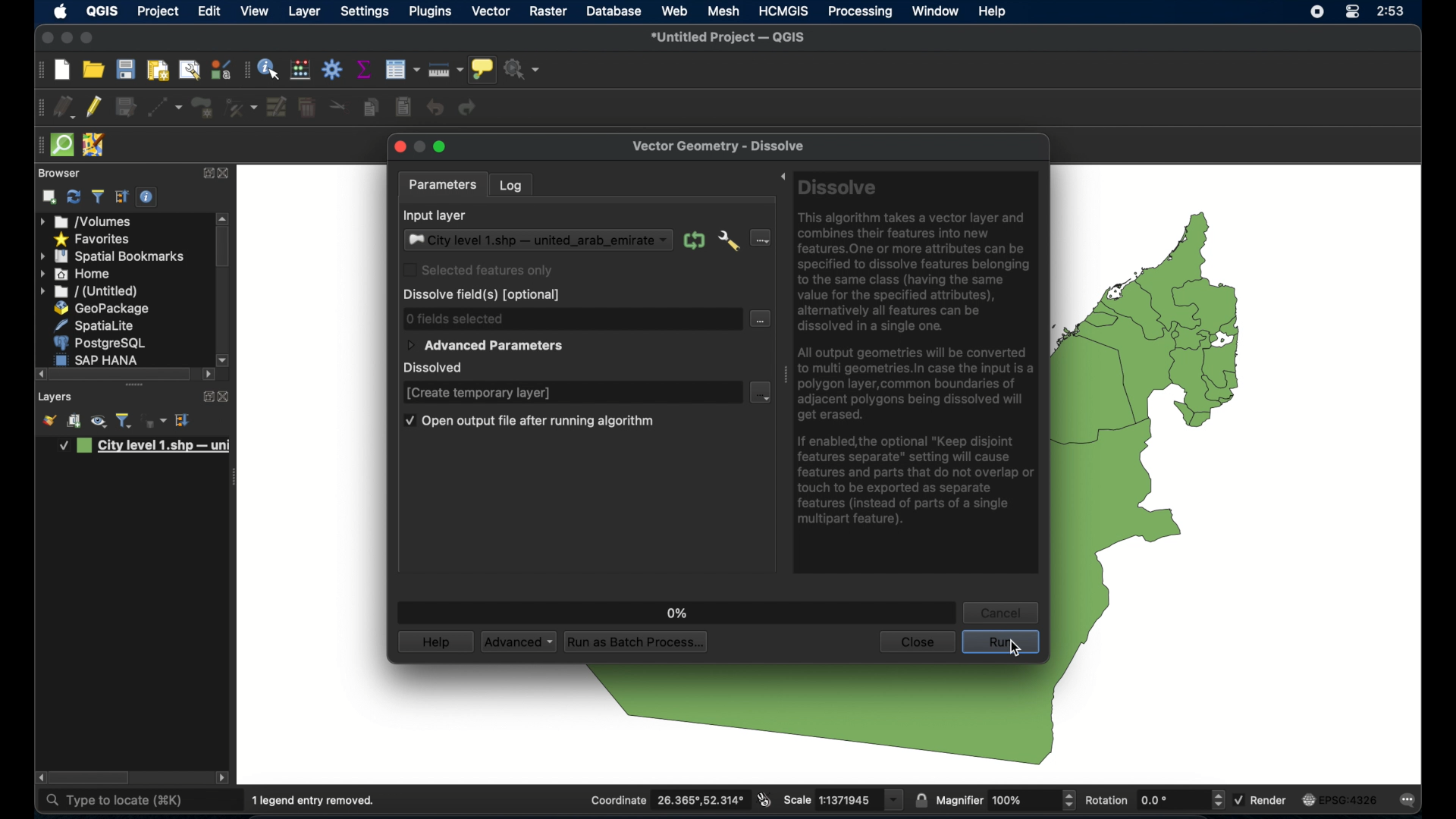  Describe the element at coordinates (96, 325) in the screenshot. I see `spatial lite` at that location.